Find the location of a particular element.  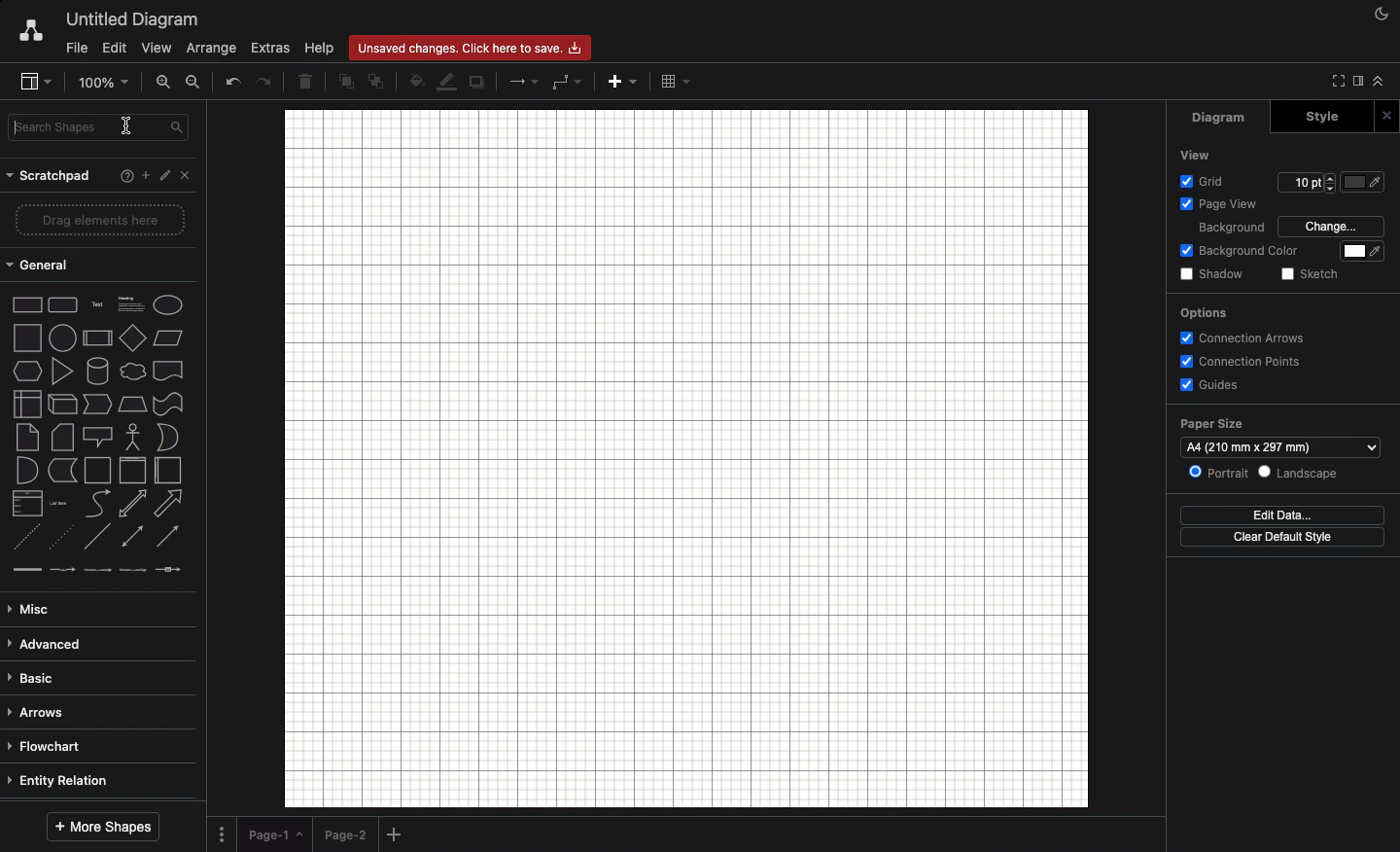

Arrow is located at coordinates (525, 81).